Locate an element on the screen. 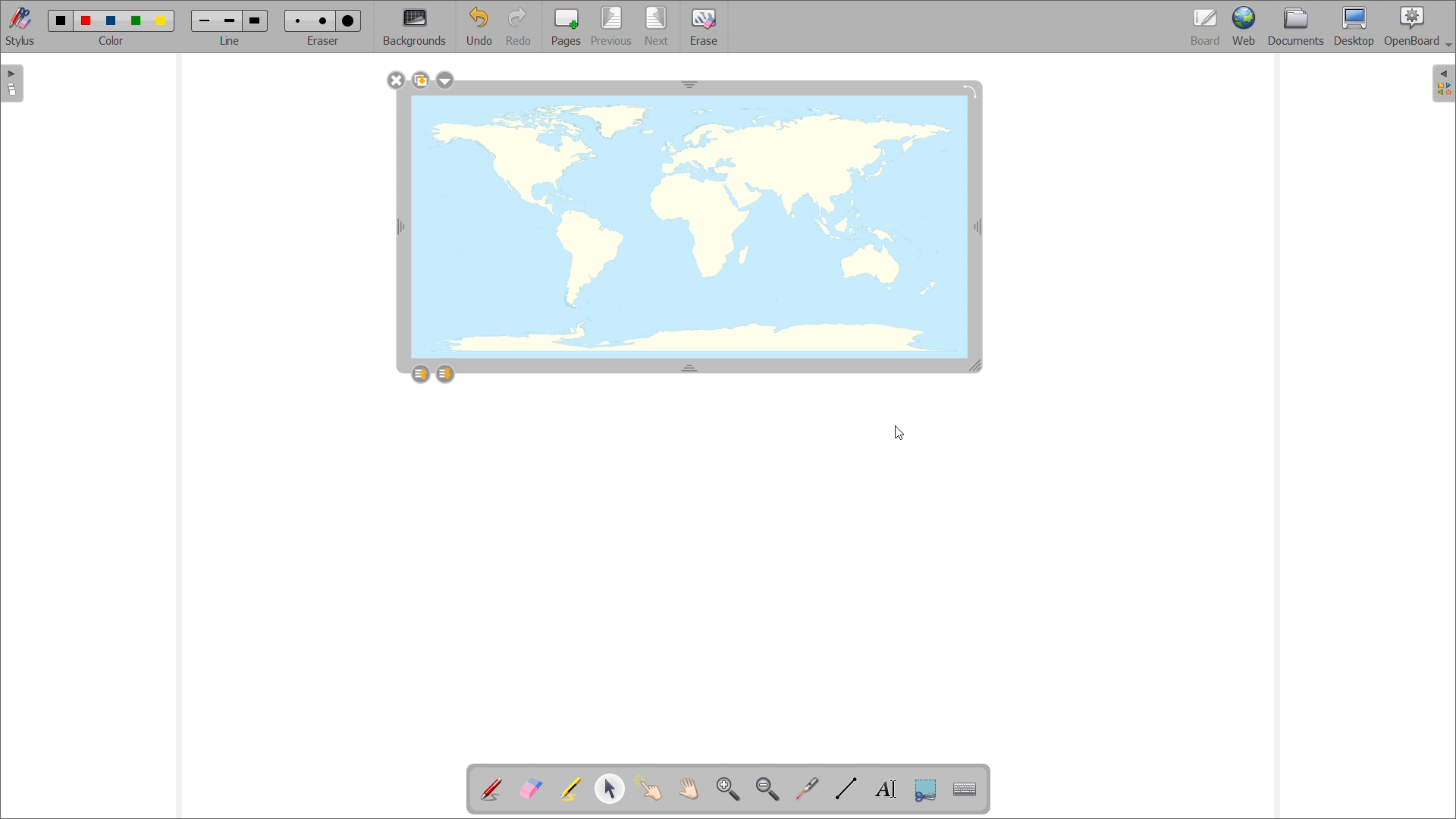 This screenshot has width=1456, height=819. resize is located at coordinates (979, 226).